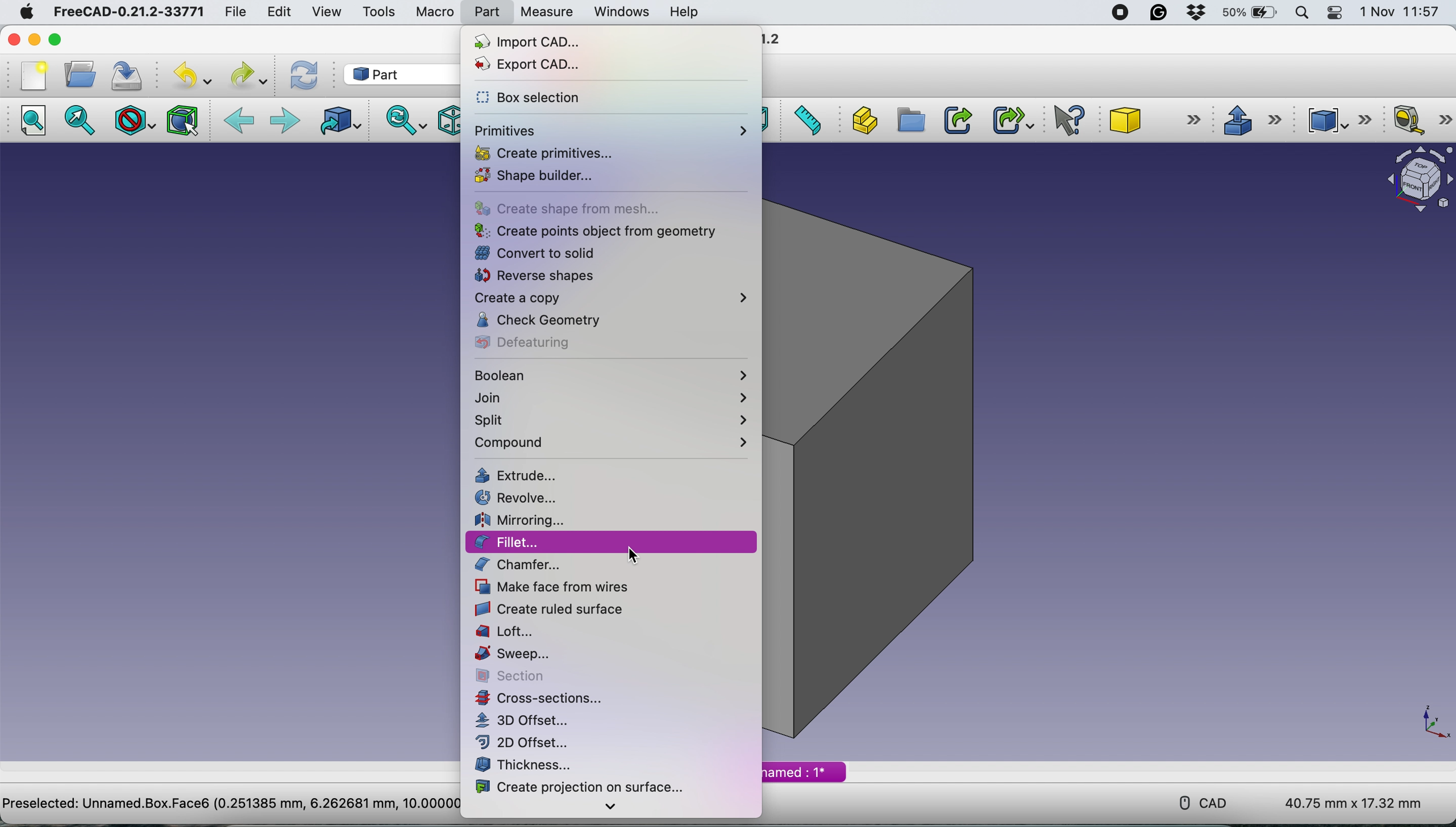 This screenshot has width=1456, height=827. I want to click on split, so click(613, 420).